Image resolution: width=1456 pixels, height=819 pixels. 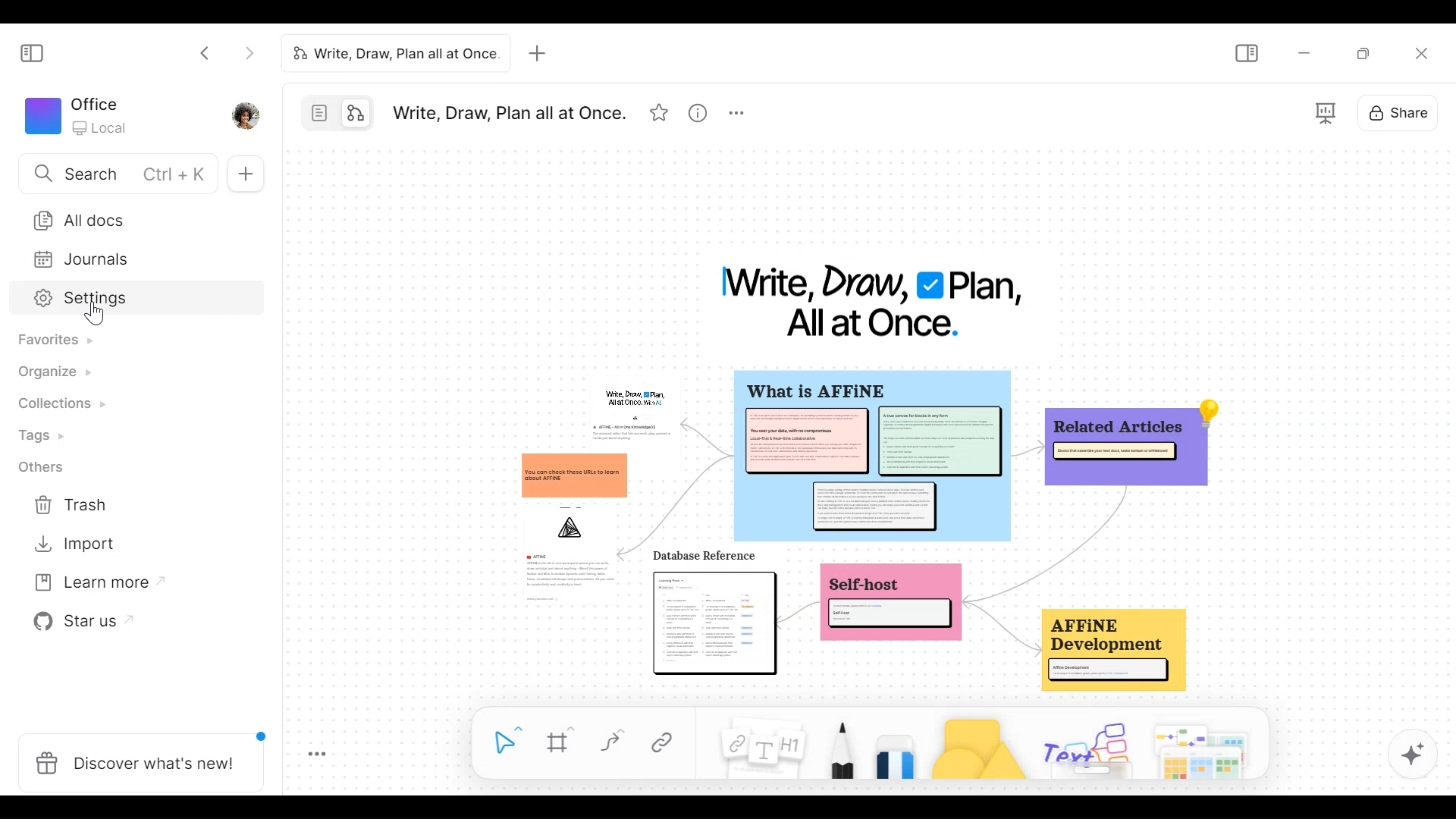 I want to click on Import, so click(x=77, y=544).